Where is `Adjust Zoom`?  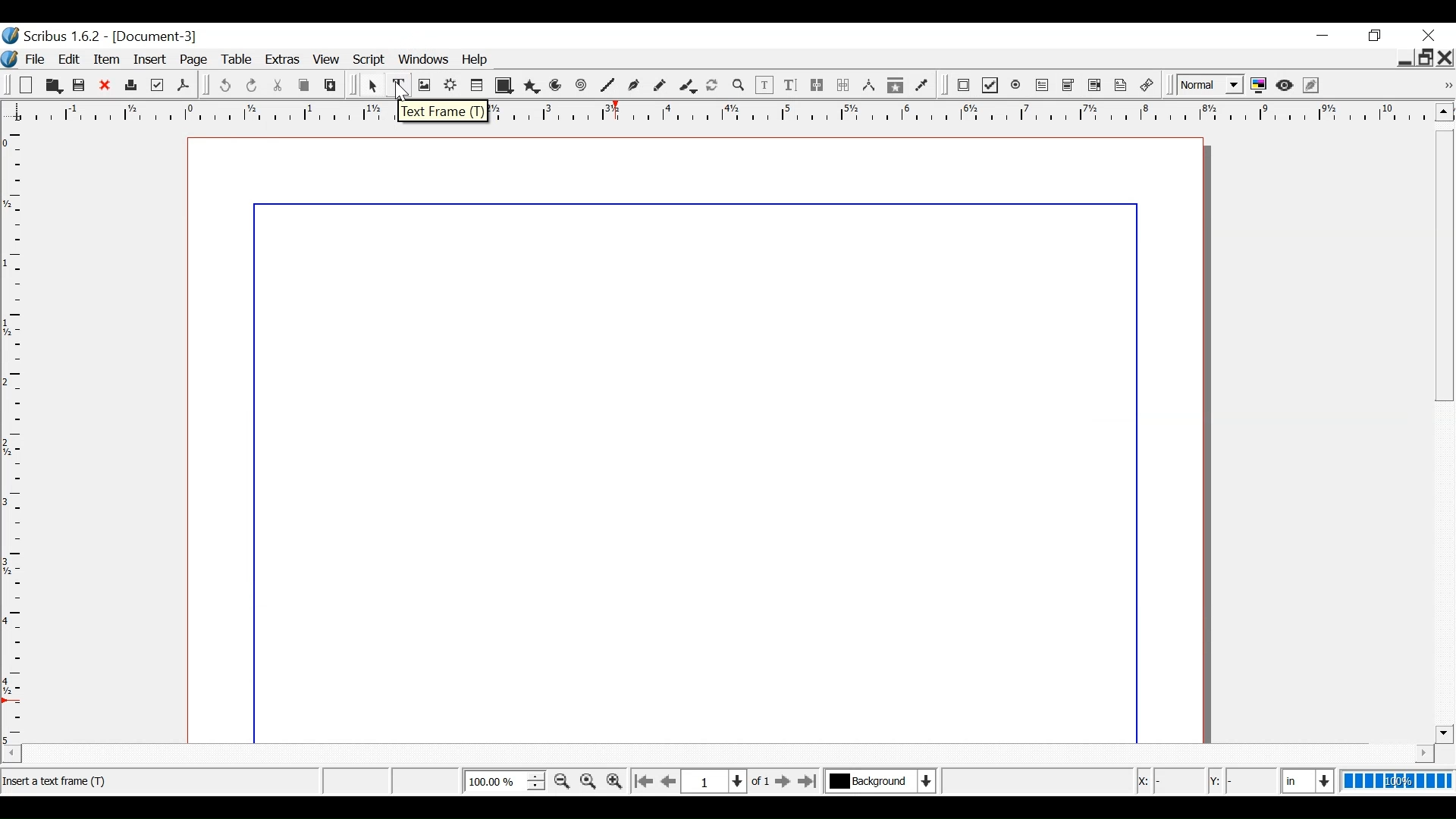 Adjust Zoom is located at coordinates (506, 780).